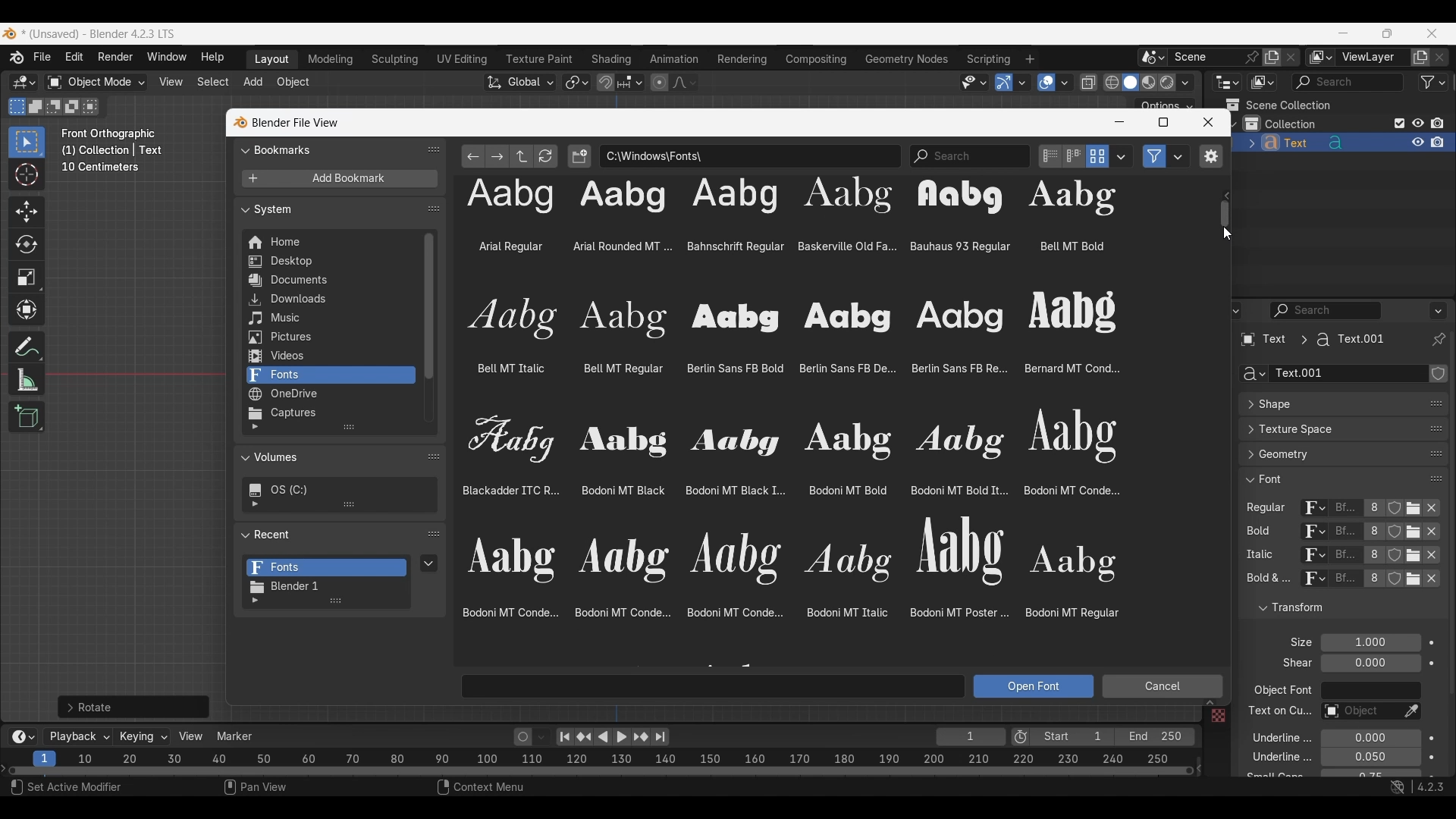 The image size is (1456, 819). I want to click on Subtract existing selection, so click(54, 107).